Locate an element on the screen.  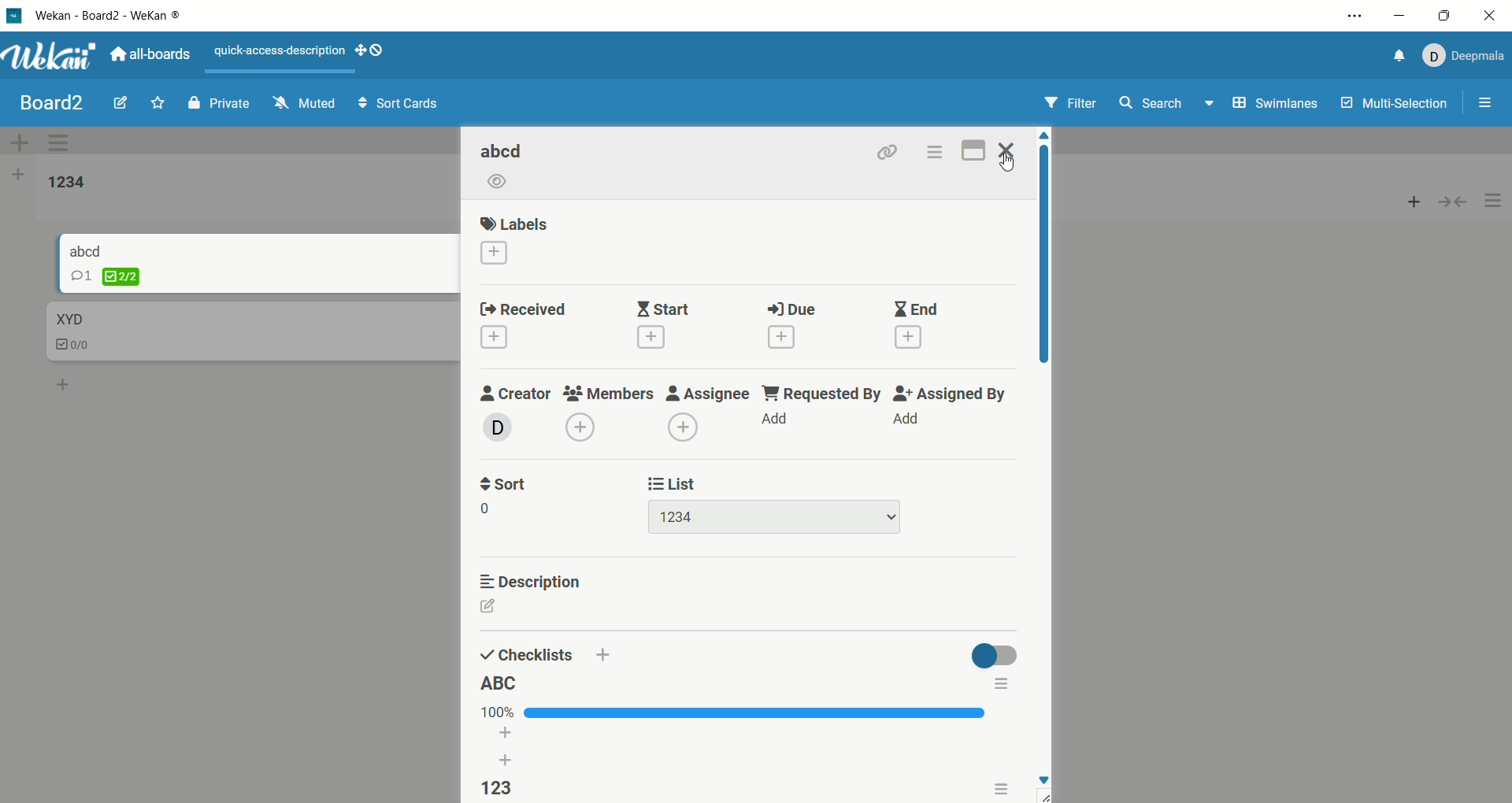
card title is located at coordinates (93, 250).